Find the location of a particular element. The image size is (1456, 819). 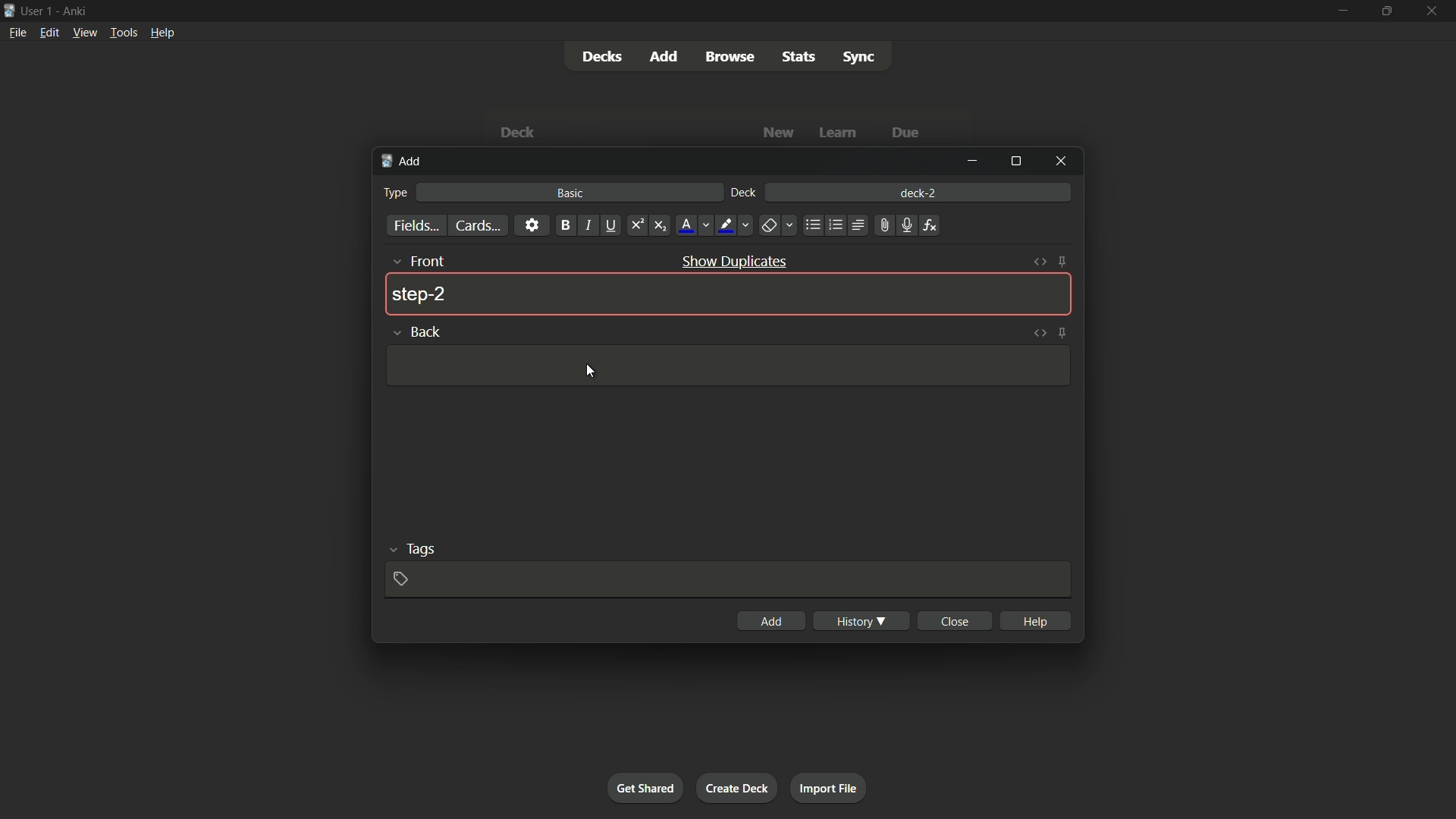

new is located at coordinates (779, 133).